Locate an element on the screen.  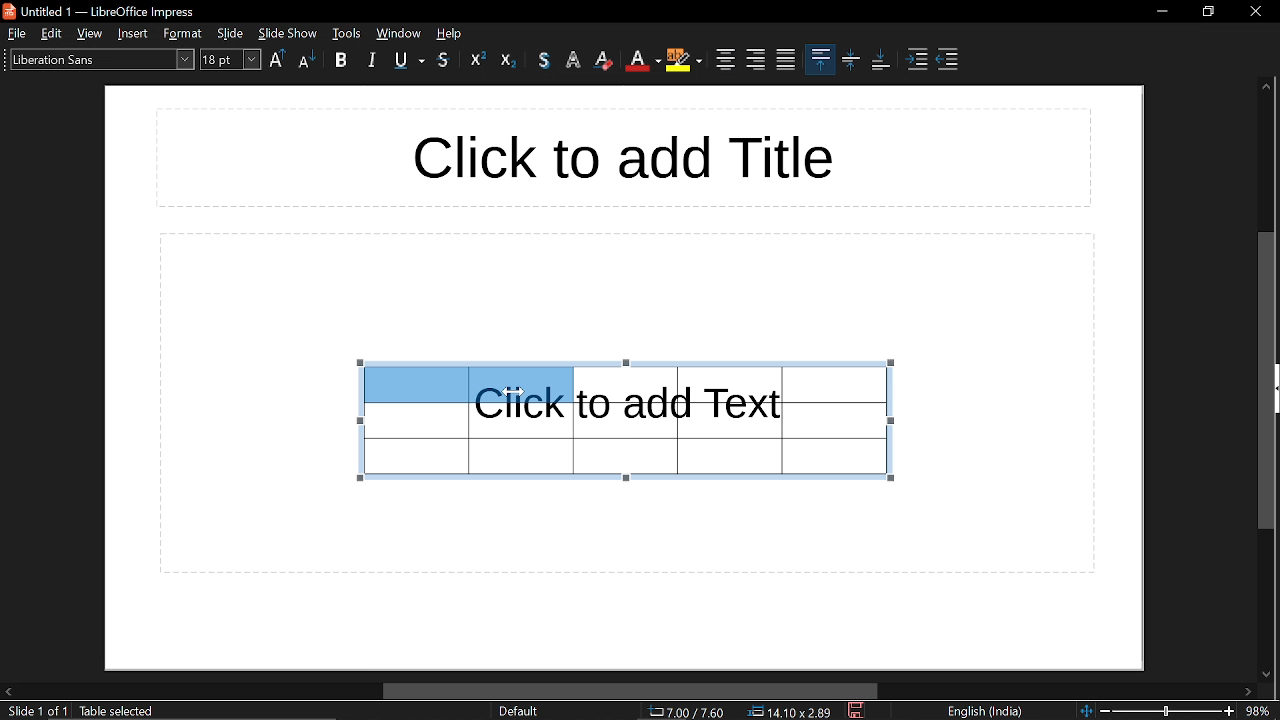
file is located at coordinates (15, 33).